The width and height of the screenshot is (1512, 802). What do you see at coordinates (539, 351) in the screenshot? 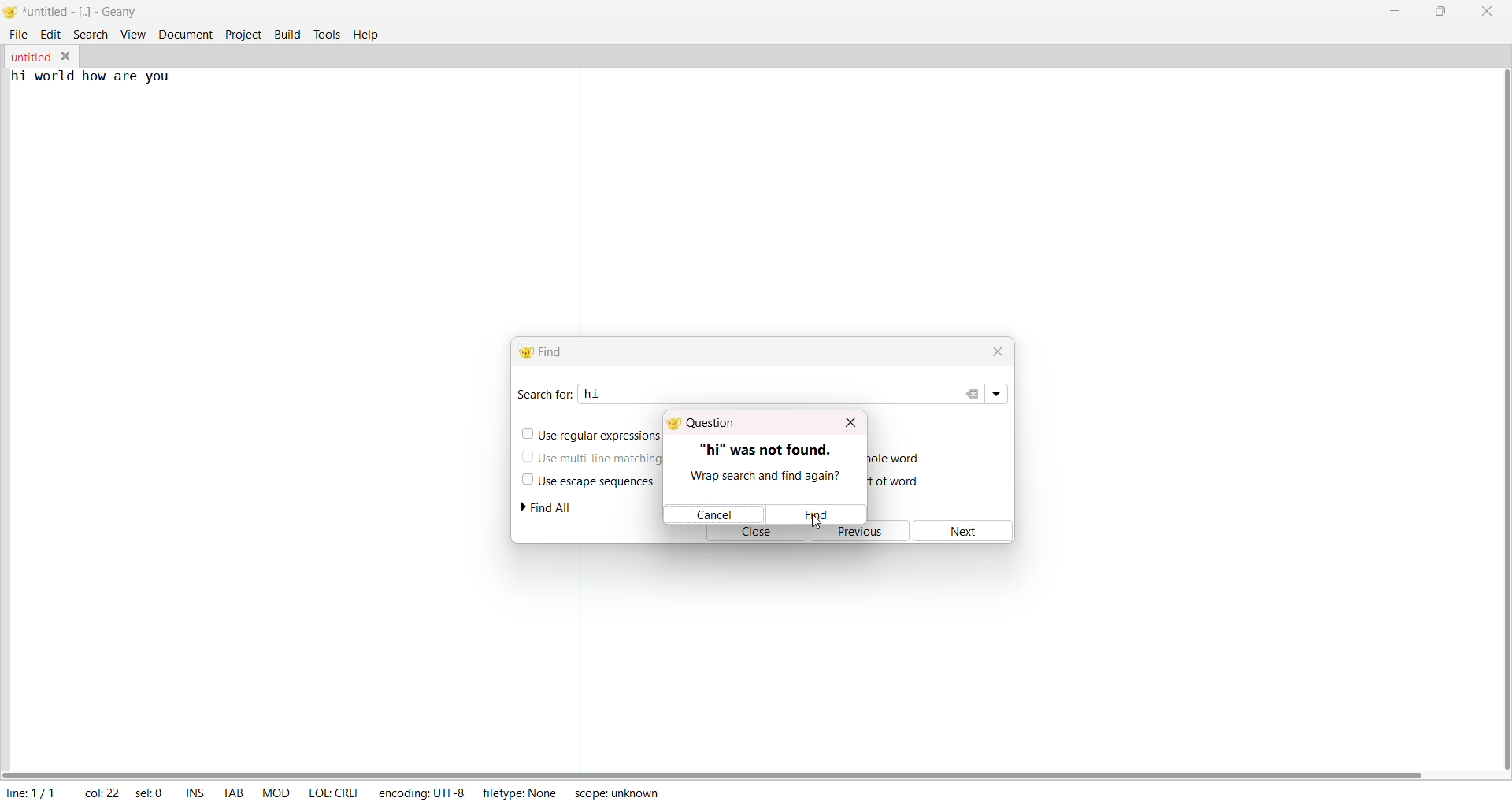
I see `find` at bounding box center [539, 351].